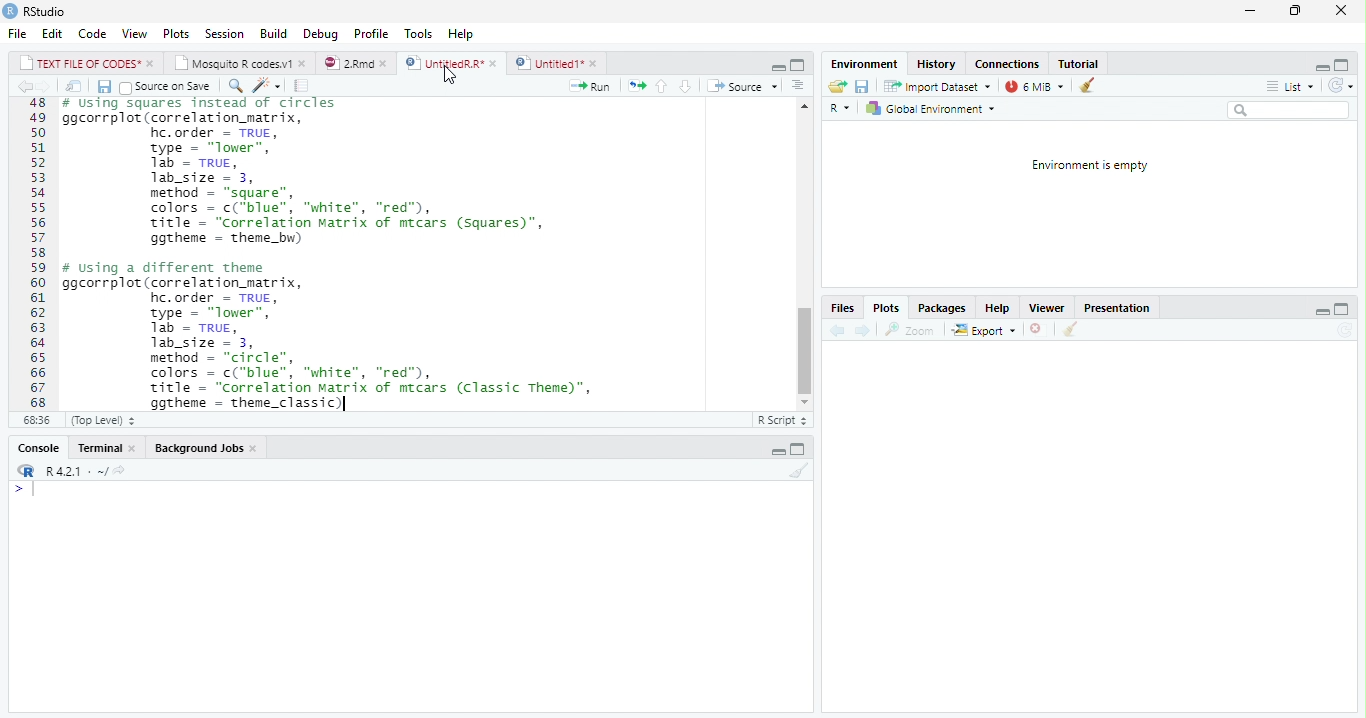  I want to click on clear current plot, so click(1034, 330).